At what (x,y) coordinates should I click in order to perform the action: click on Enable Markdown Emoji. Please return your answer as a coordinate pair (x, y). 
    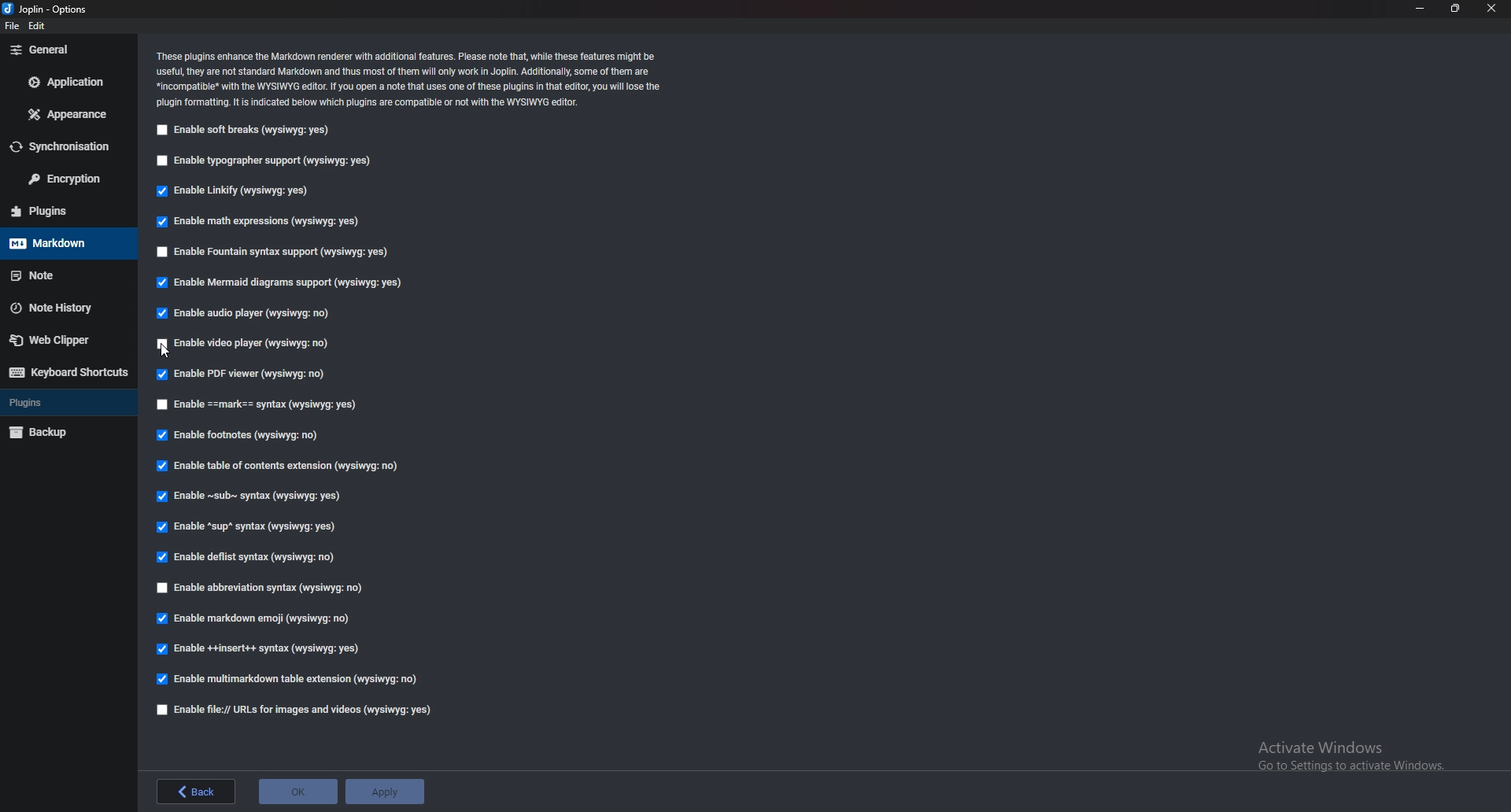
    Looking at the image, I should click on (255, 618).